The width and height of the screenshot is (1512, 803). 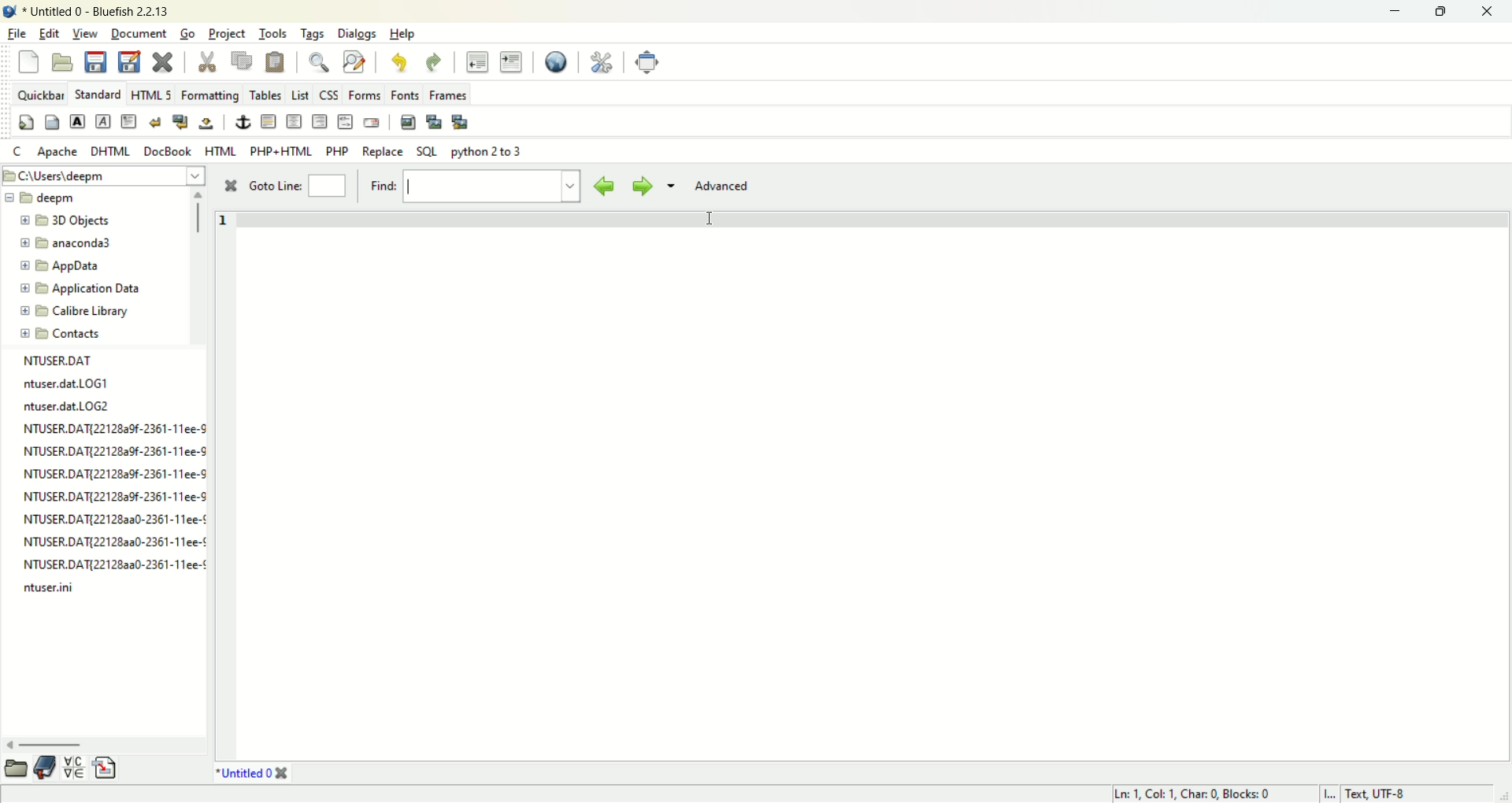 I want to click on NTUSER.DAT{22128aa0-2361-11ee-¢, so click(x=113, y=541).